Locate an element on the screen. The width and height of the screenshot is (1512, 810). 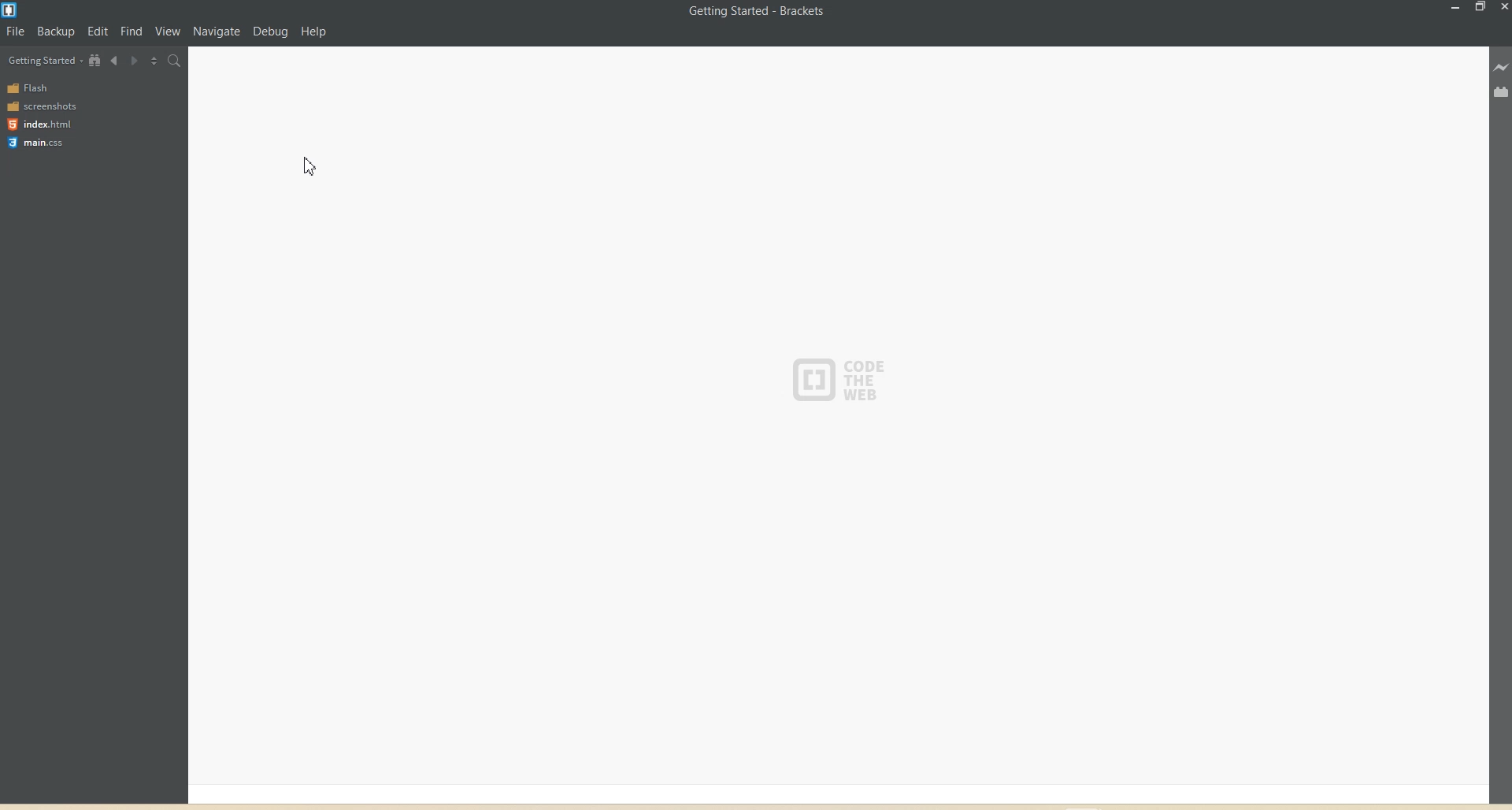
Live Preview is located at coordinates (1502, 68).